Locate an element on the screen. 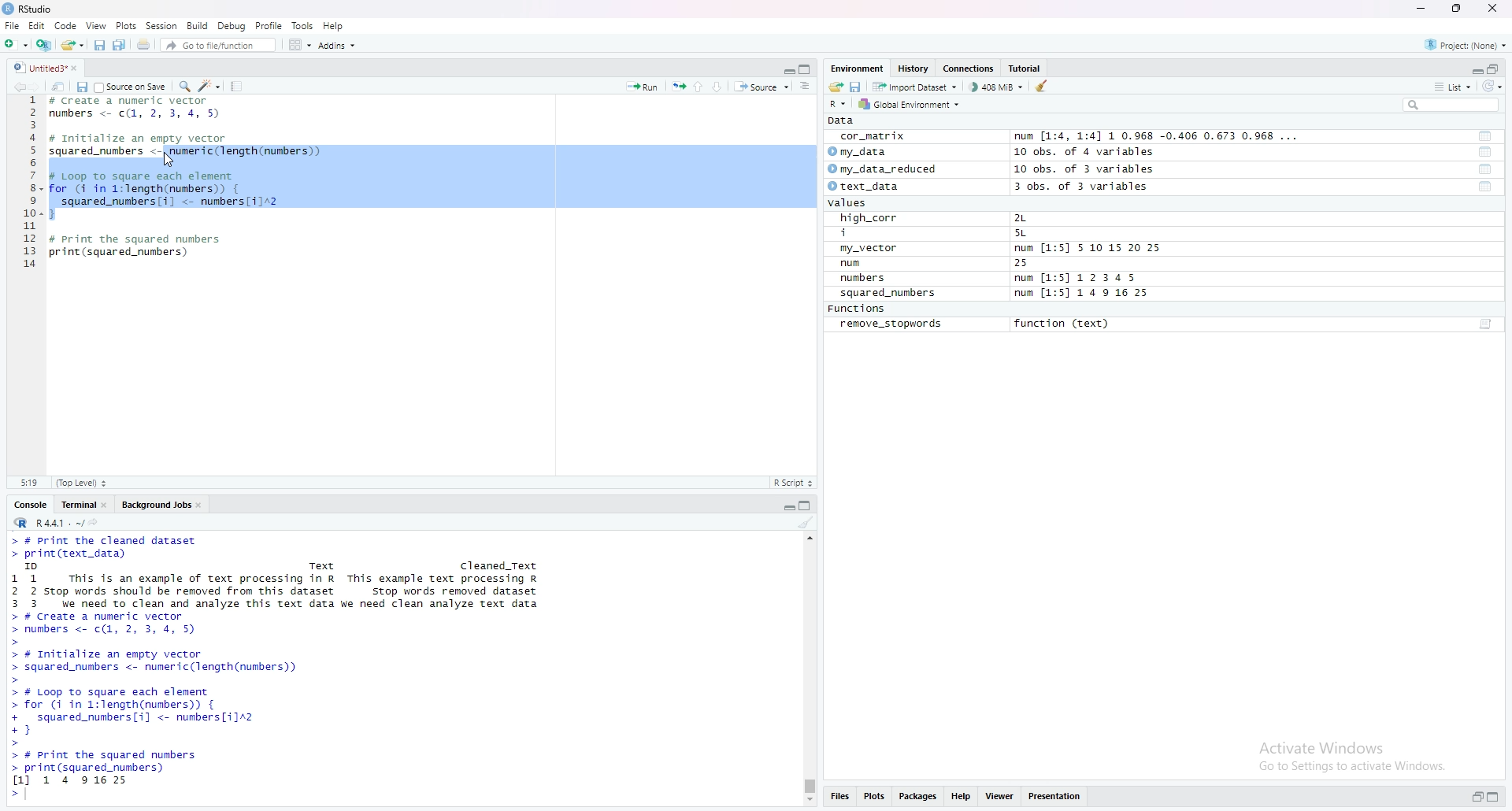 This screenshot has width=1512, height=811. Background Jobs is located at coordinates (155, 503).